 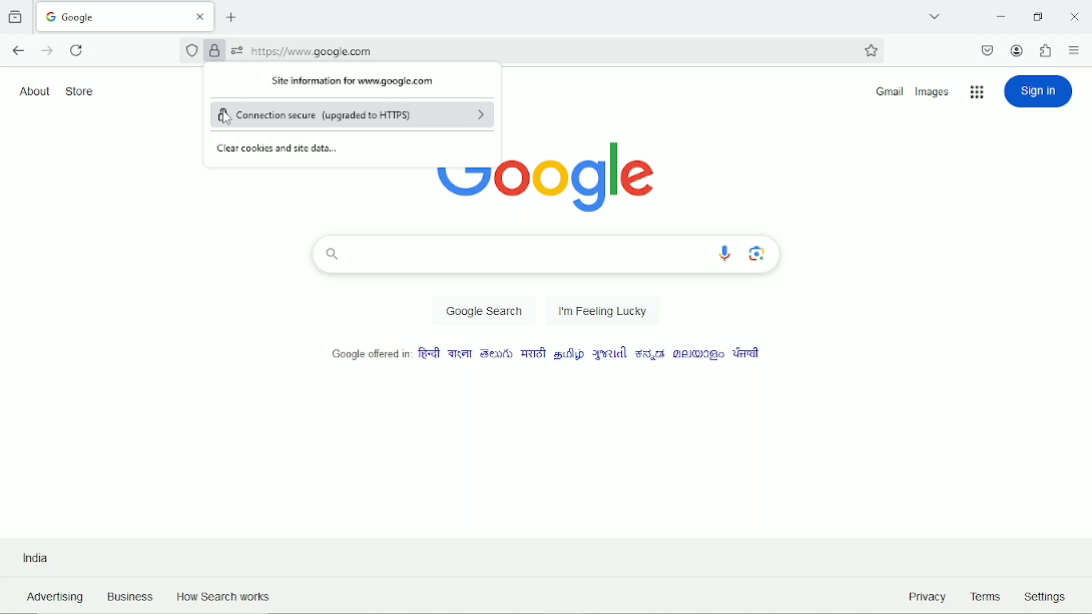 What do you see at coordinates (1041, 90) in the screenshot?
I see `Sign in` at bounding box center [1041, 90].